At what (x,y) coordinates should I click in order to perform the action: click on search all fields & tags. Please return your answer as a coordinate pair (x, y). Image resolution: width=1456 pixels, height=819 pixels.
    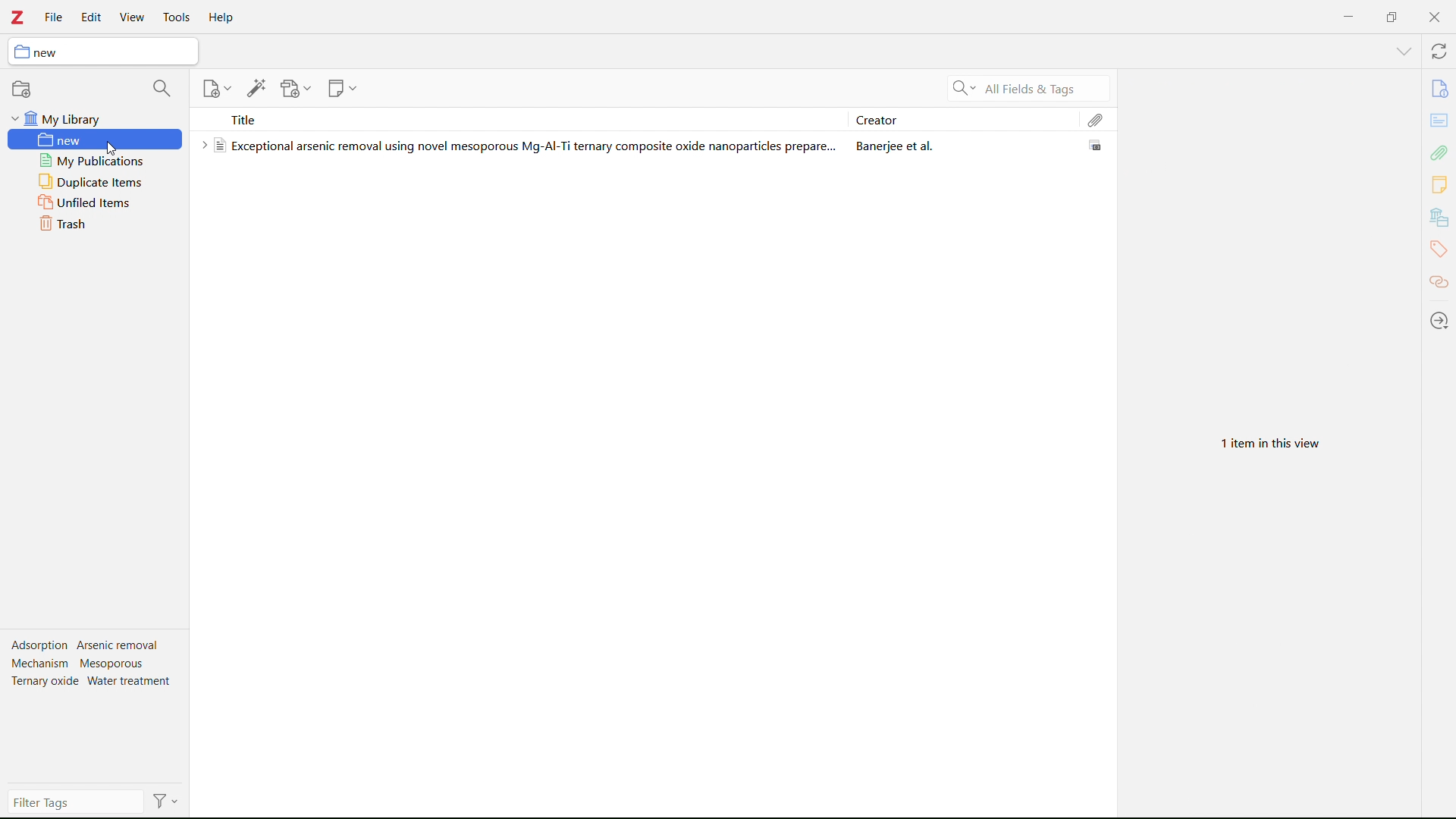
    Looking at the image, I should click on (1028, 89).